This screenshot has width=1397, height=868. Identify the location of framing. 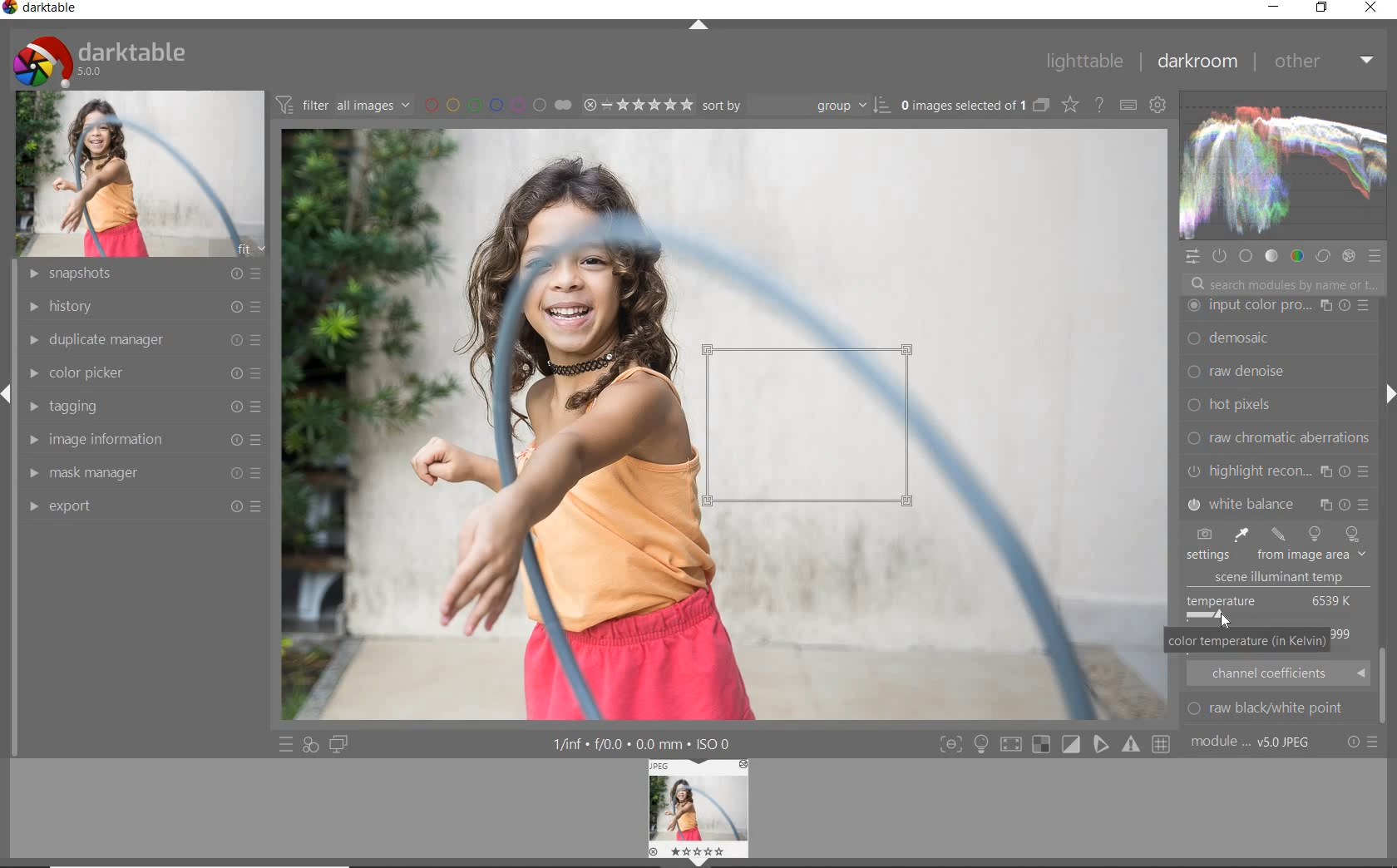
(1277, 340).